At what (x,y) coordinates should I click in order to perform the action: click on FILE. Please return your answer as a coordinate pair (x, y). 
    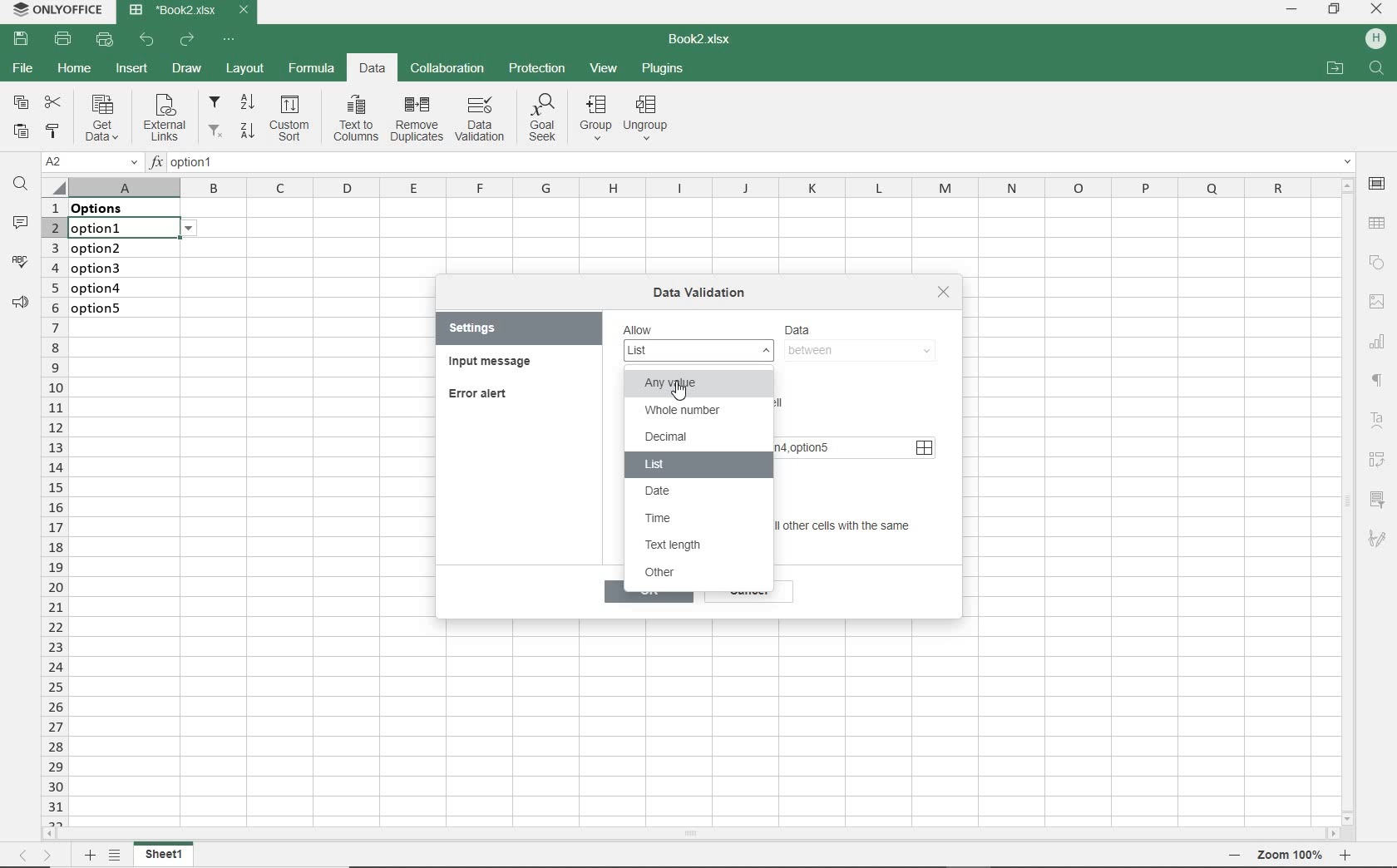
    Looking at the image, I should click on (22, 71).